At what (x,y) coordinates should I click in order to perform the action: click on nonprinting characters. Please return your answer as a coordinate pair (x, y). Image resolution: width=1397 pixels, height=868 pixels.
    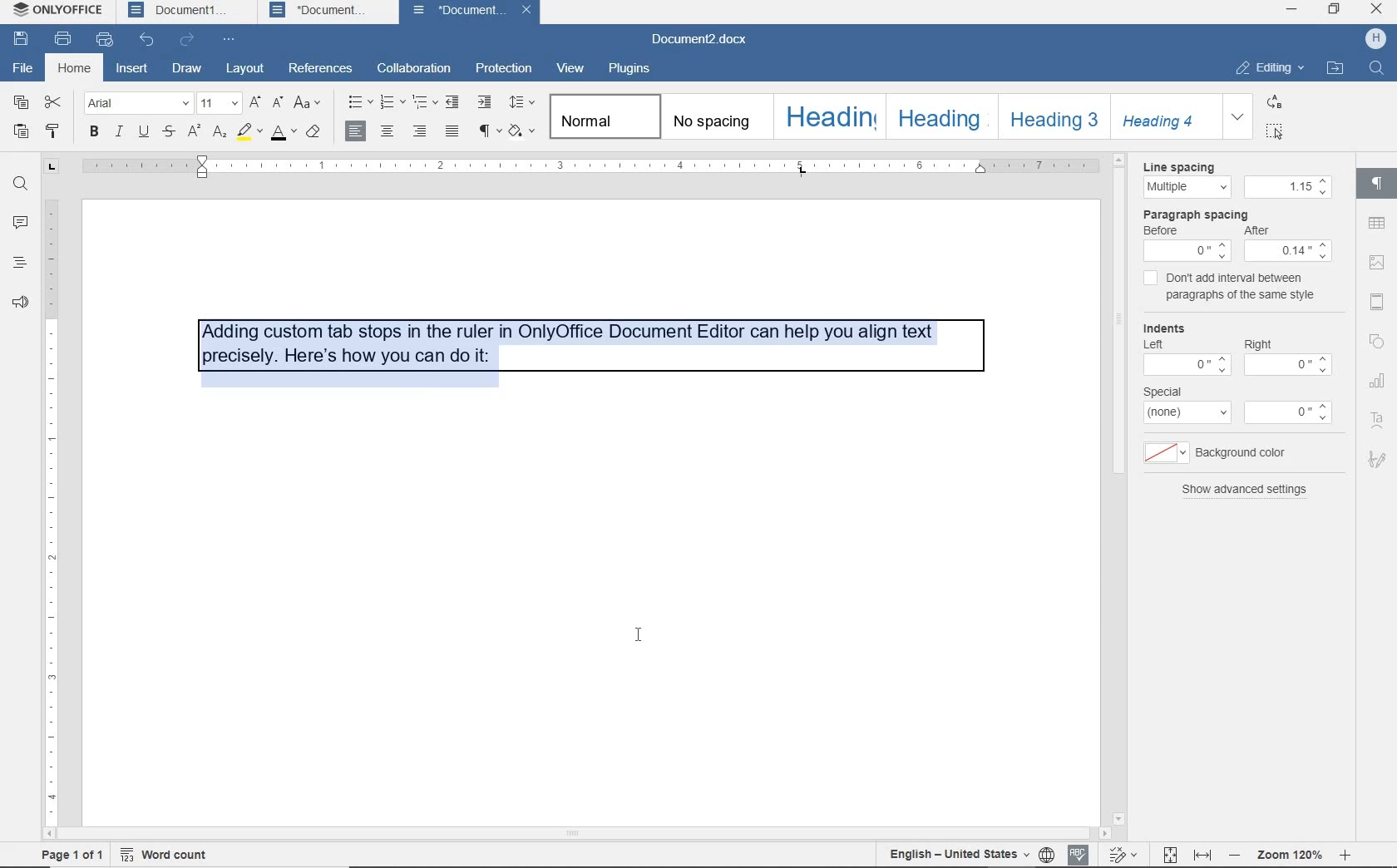
    Looking at the image, I should click on (488, 133).